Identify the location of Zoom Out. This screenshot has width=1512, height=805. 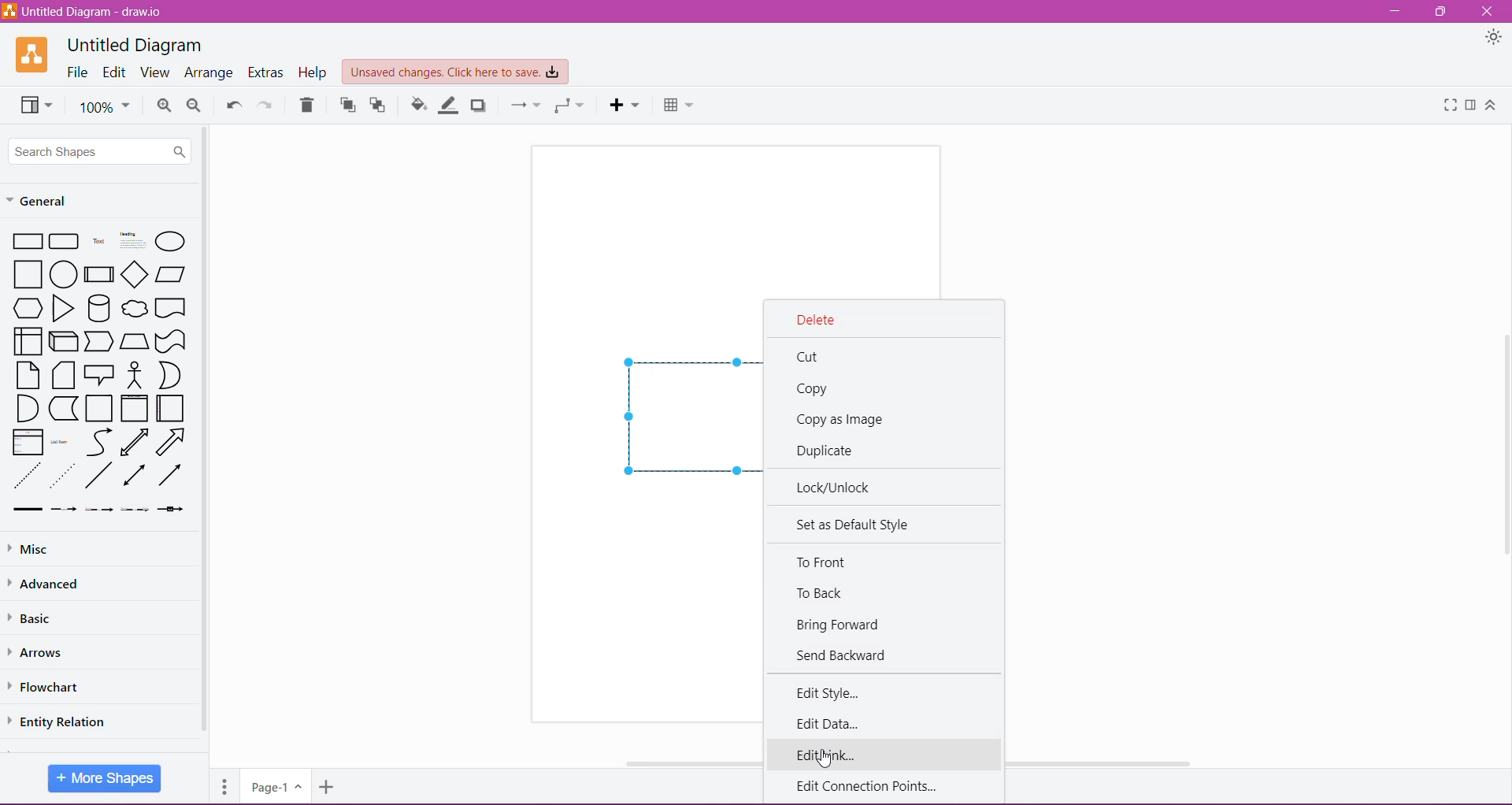
(195, 106).